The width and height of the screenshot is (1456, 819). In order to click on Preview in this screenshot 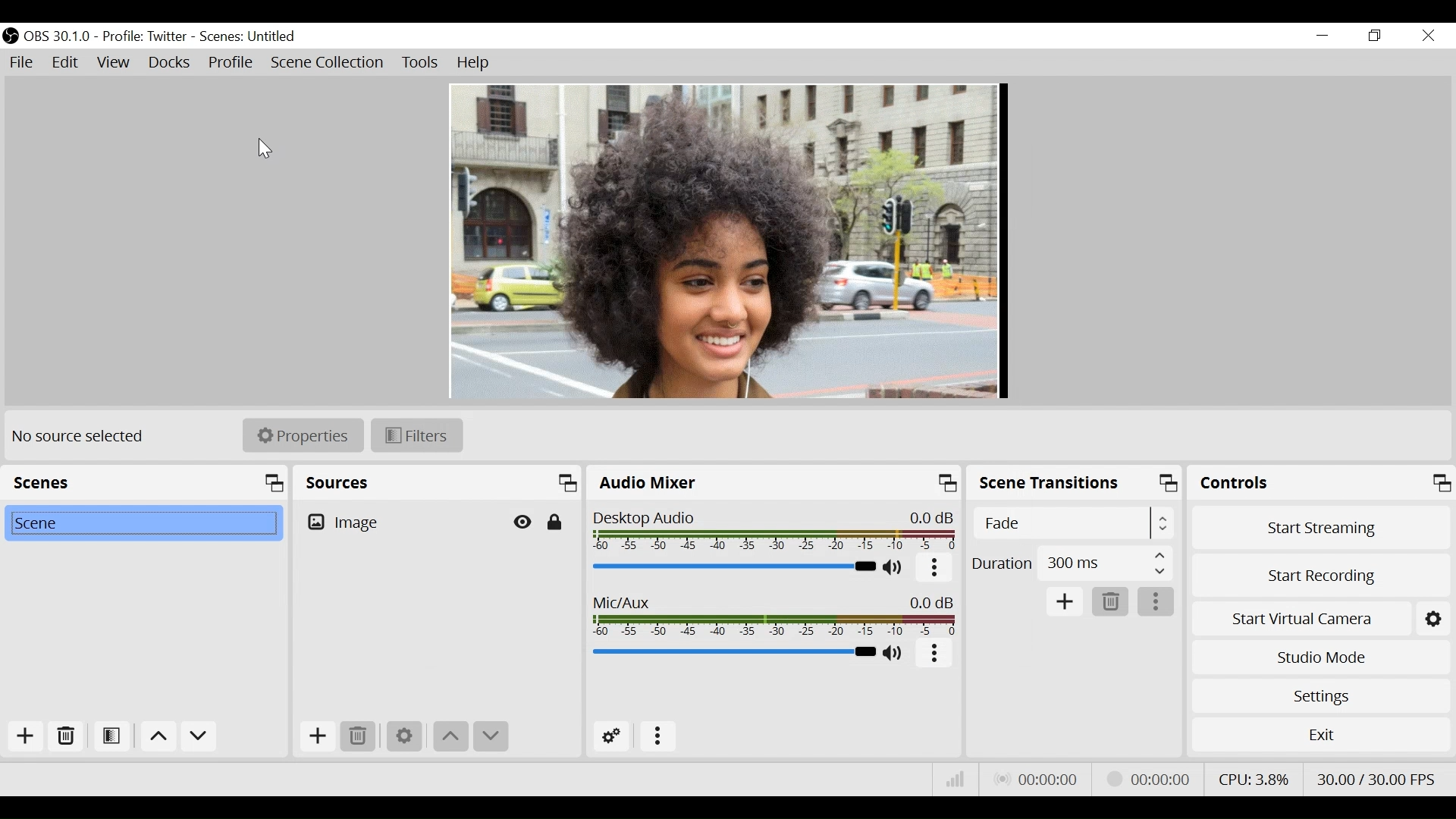, I will do `click(726, 242)`.